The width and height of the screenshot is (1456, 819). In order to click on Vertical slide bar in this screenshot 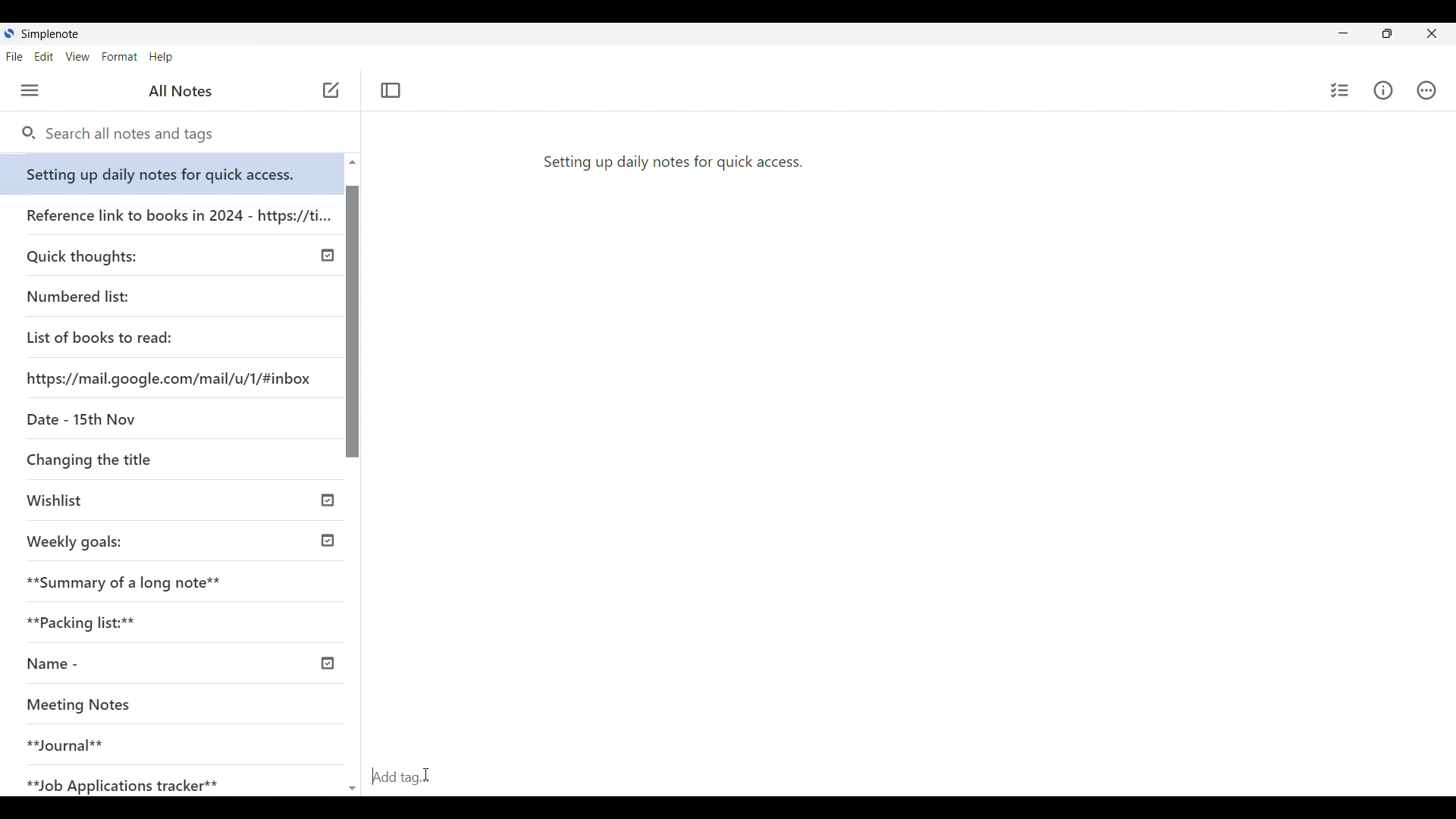, I will do `click(354, 482)`.